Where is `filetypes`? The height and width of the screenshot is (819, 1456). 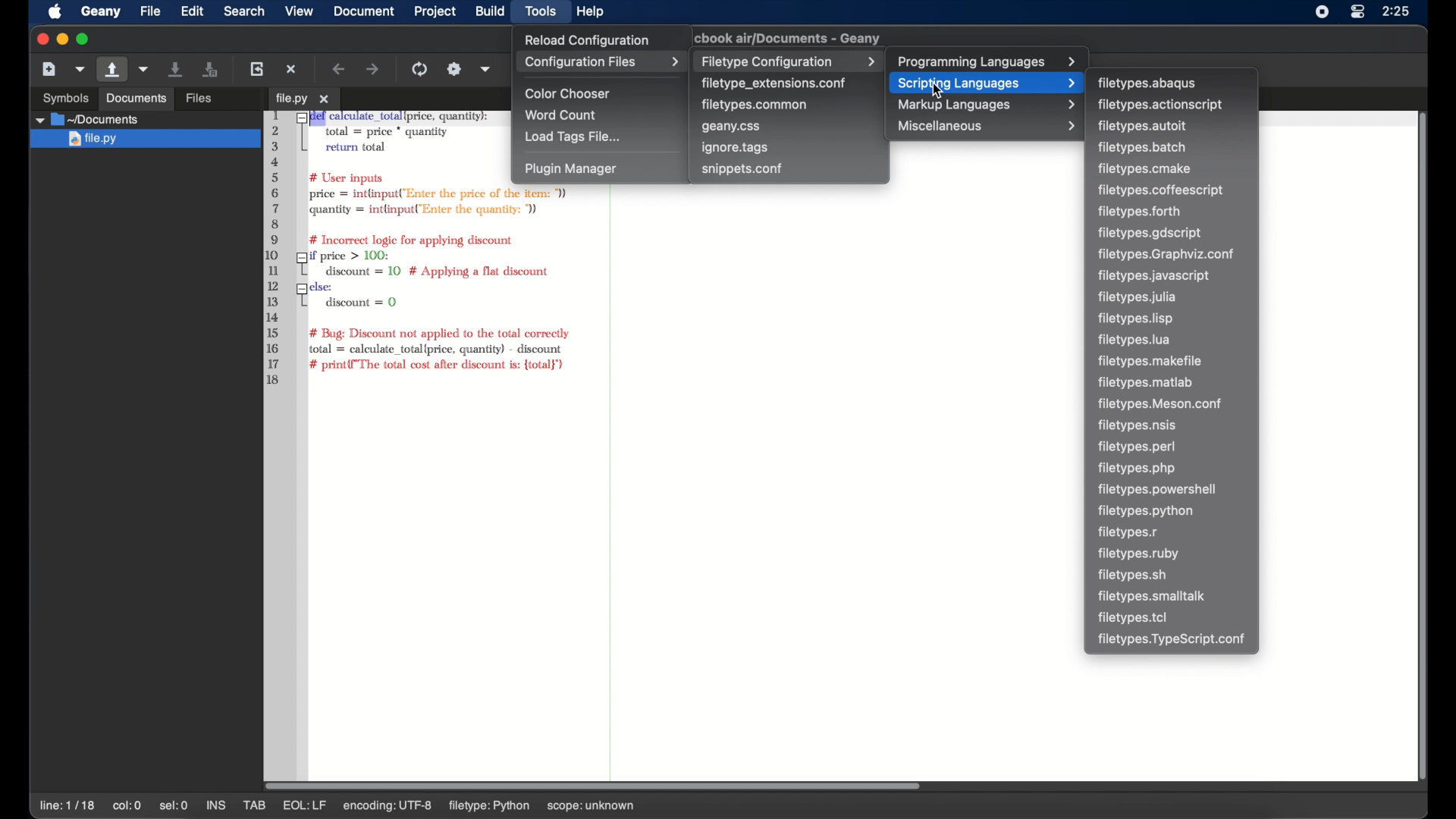
filetypes is located at coordinates (1142, 212).